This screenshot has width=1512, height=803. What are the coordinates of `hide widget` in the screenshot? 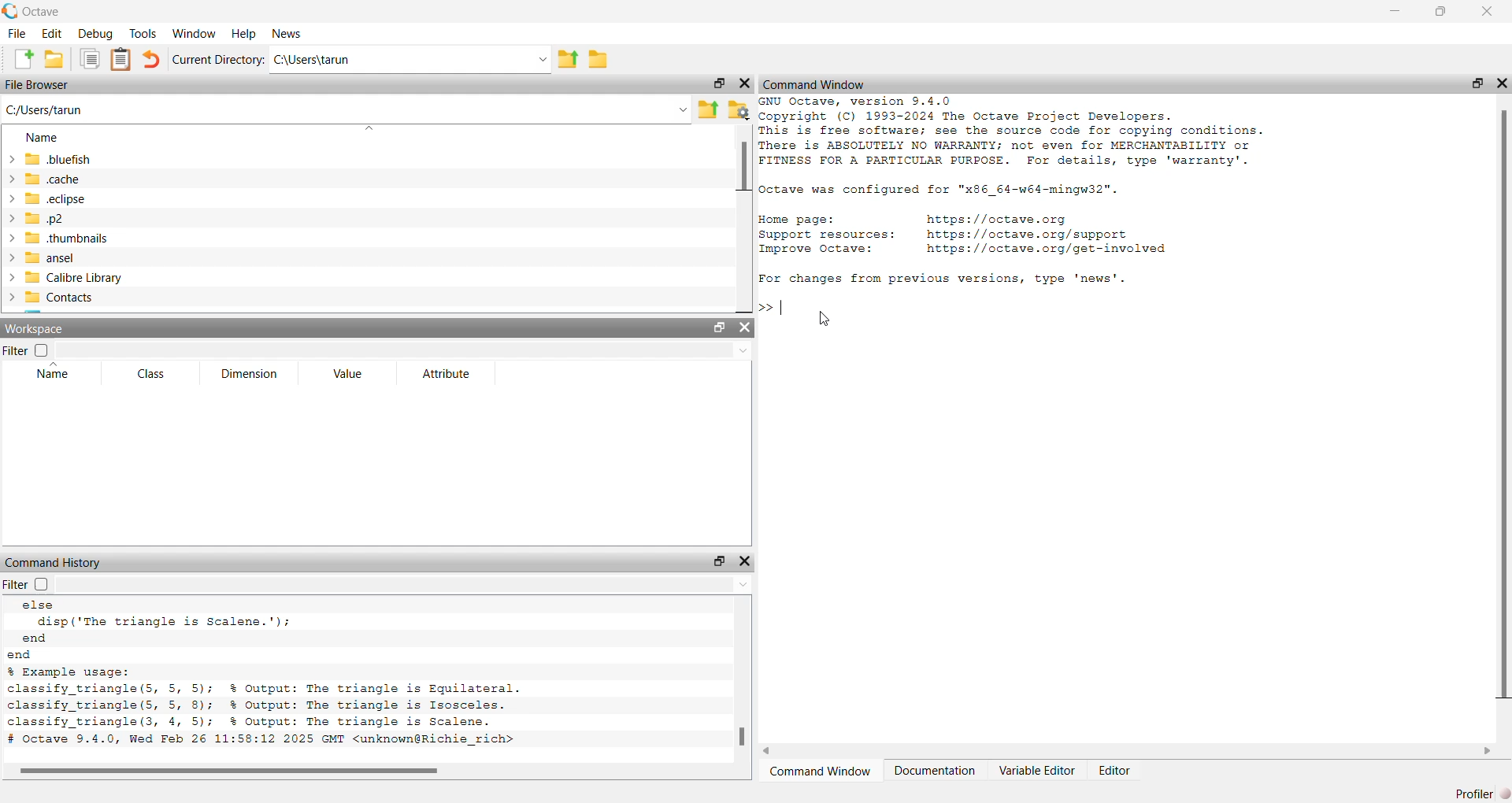 It's located at (745, 327).